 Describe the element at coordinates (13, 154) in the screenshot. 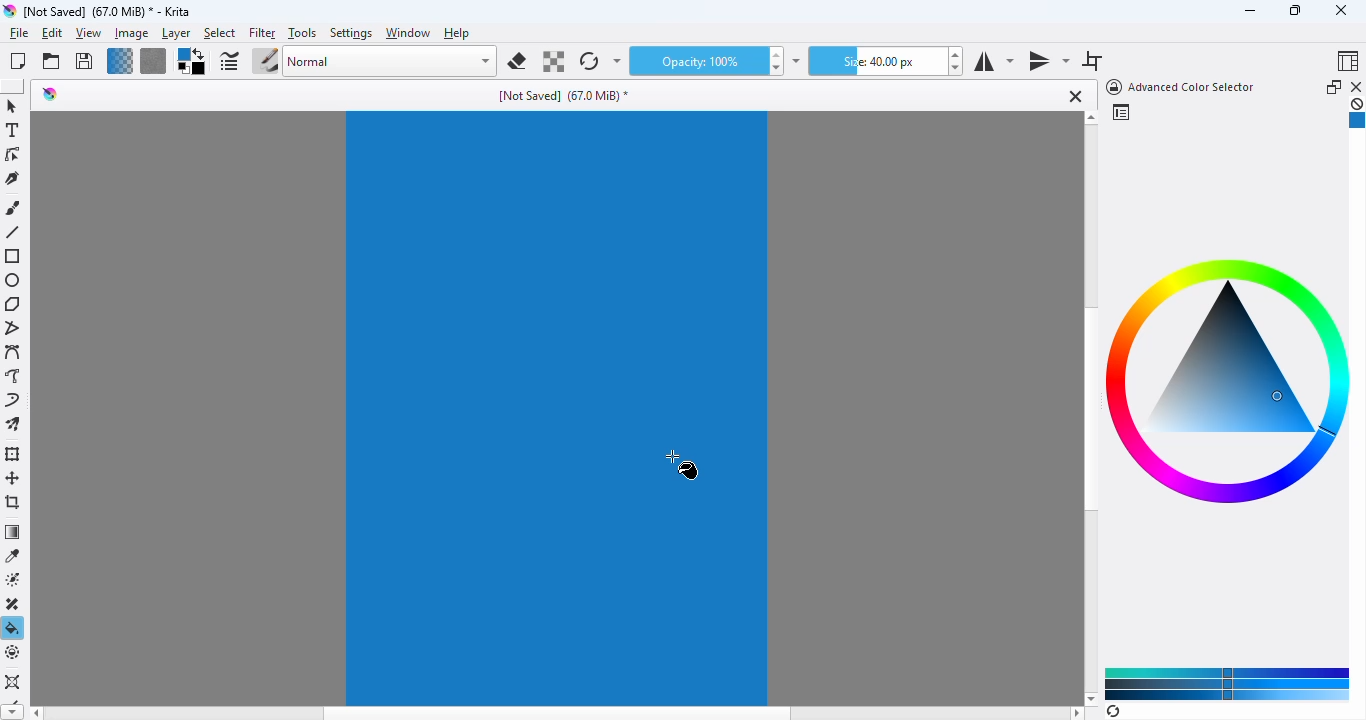

I see `edit shapes tool` at that location.